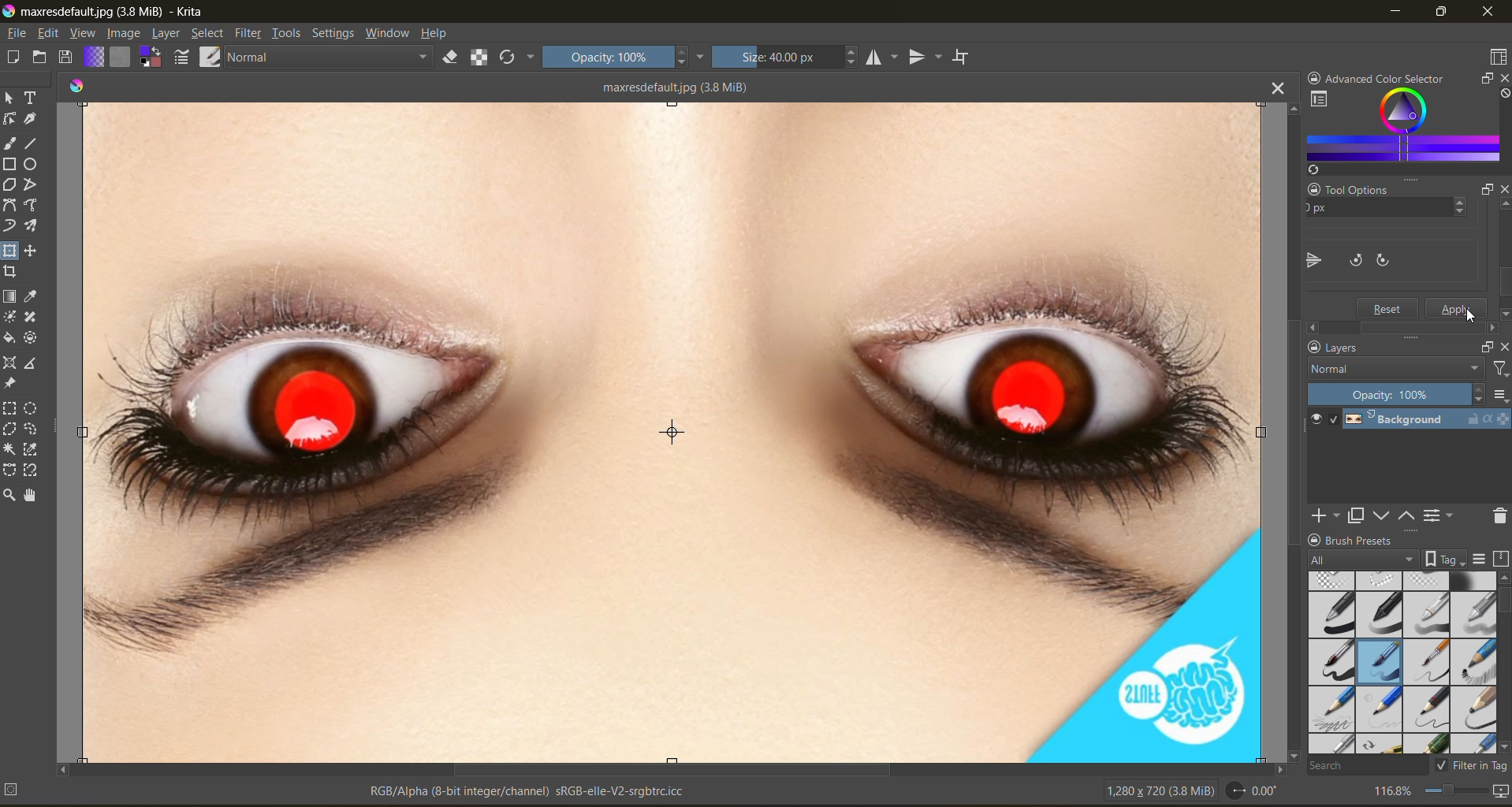  Describe the element at coordinates (13, 272) in the screenshot. I see `tool` at that location.